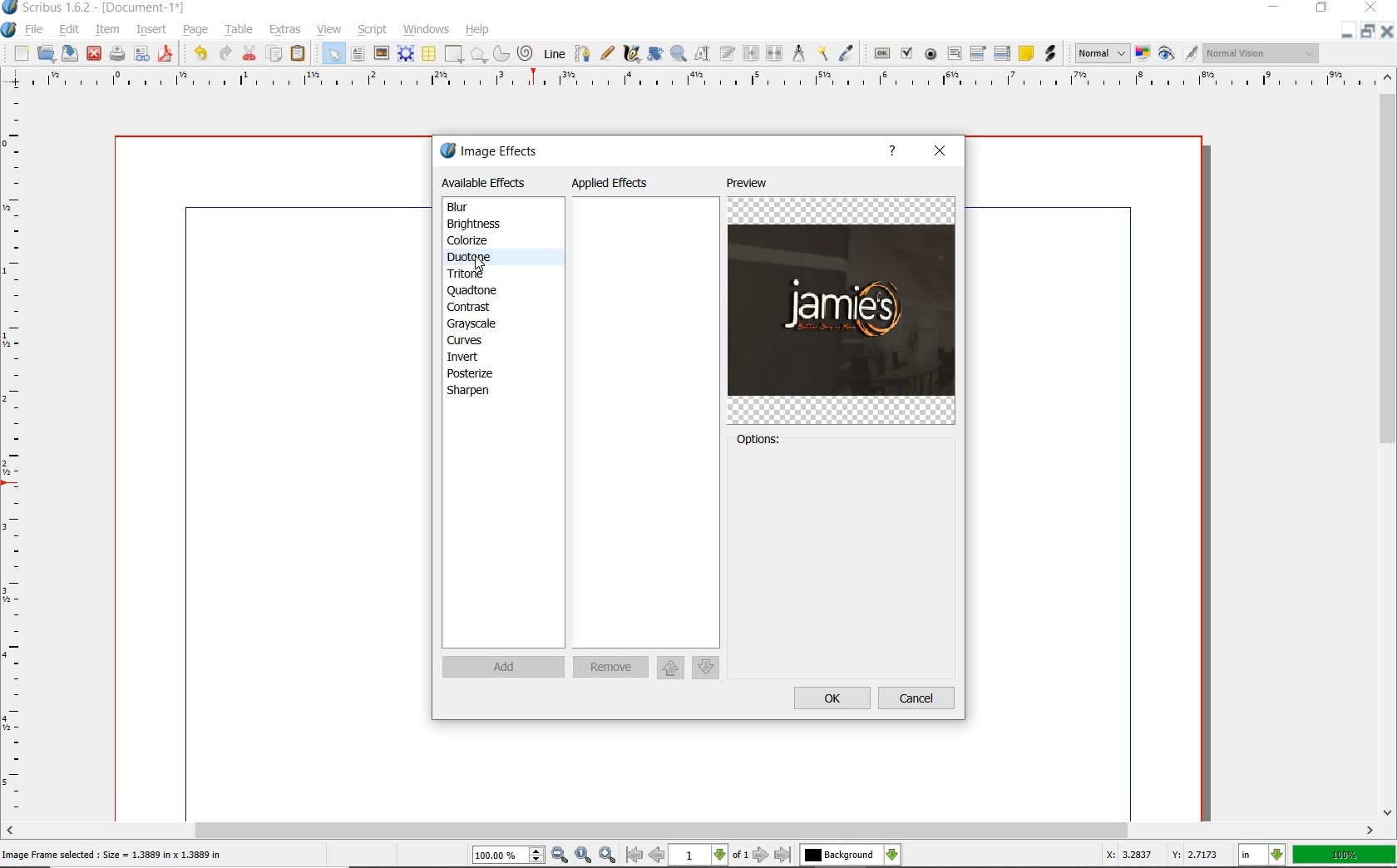 The width and height of the screenshot is (1397, 868). What do you see at coordinates (472, 392) in the screenshot?
I see `sharpen` at bounding box center [472, 392].